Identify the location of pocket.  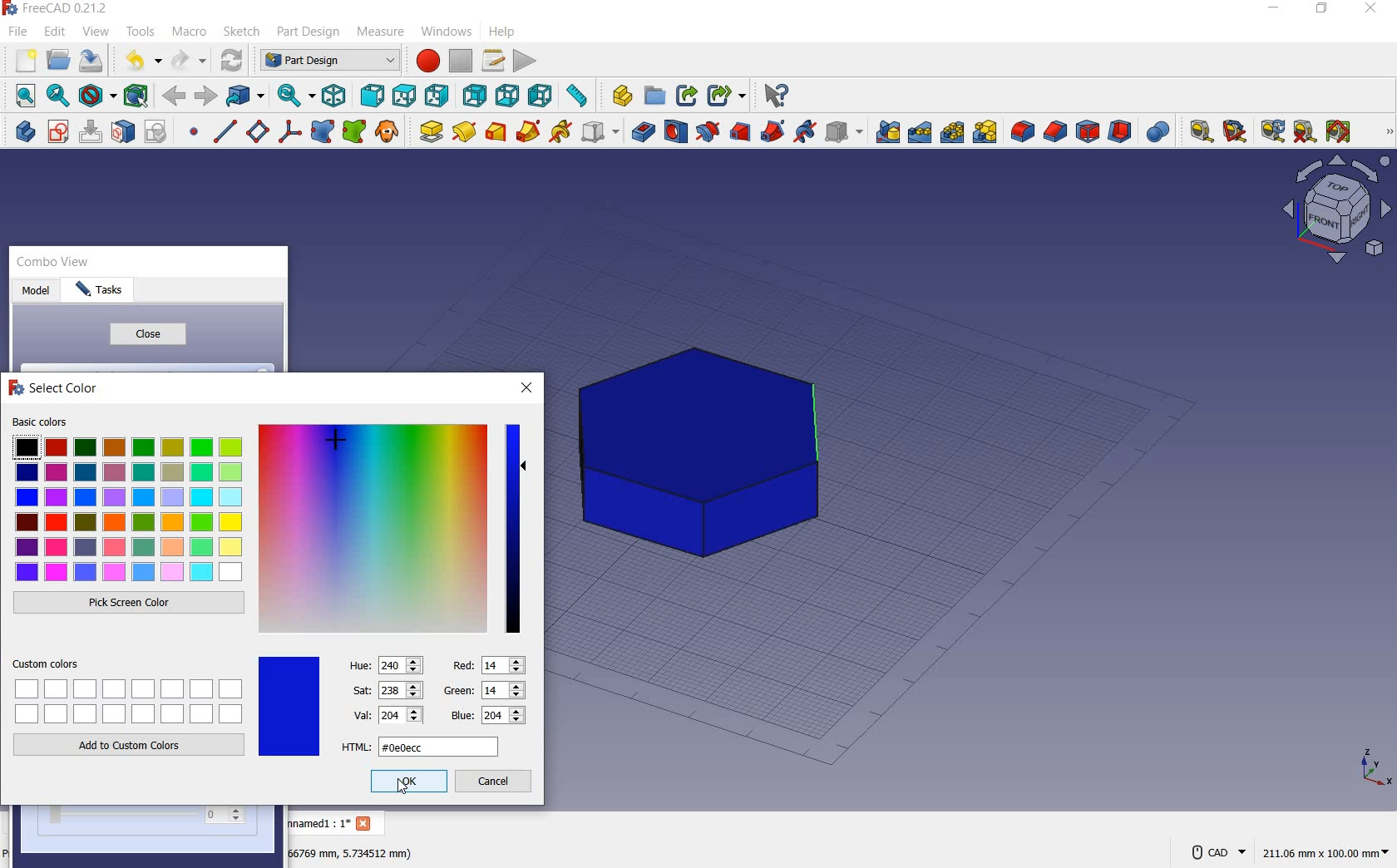
(641, 131).